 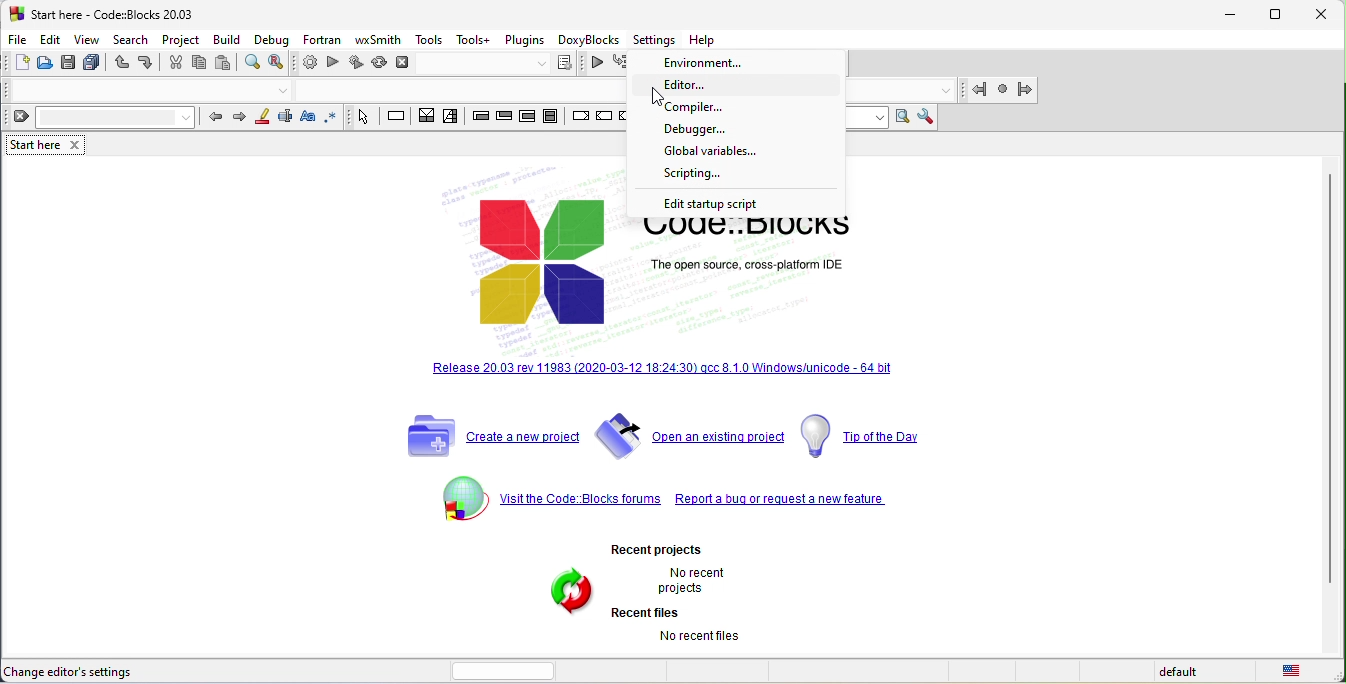 I want to click on start here, so click(x=32, y=145).